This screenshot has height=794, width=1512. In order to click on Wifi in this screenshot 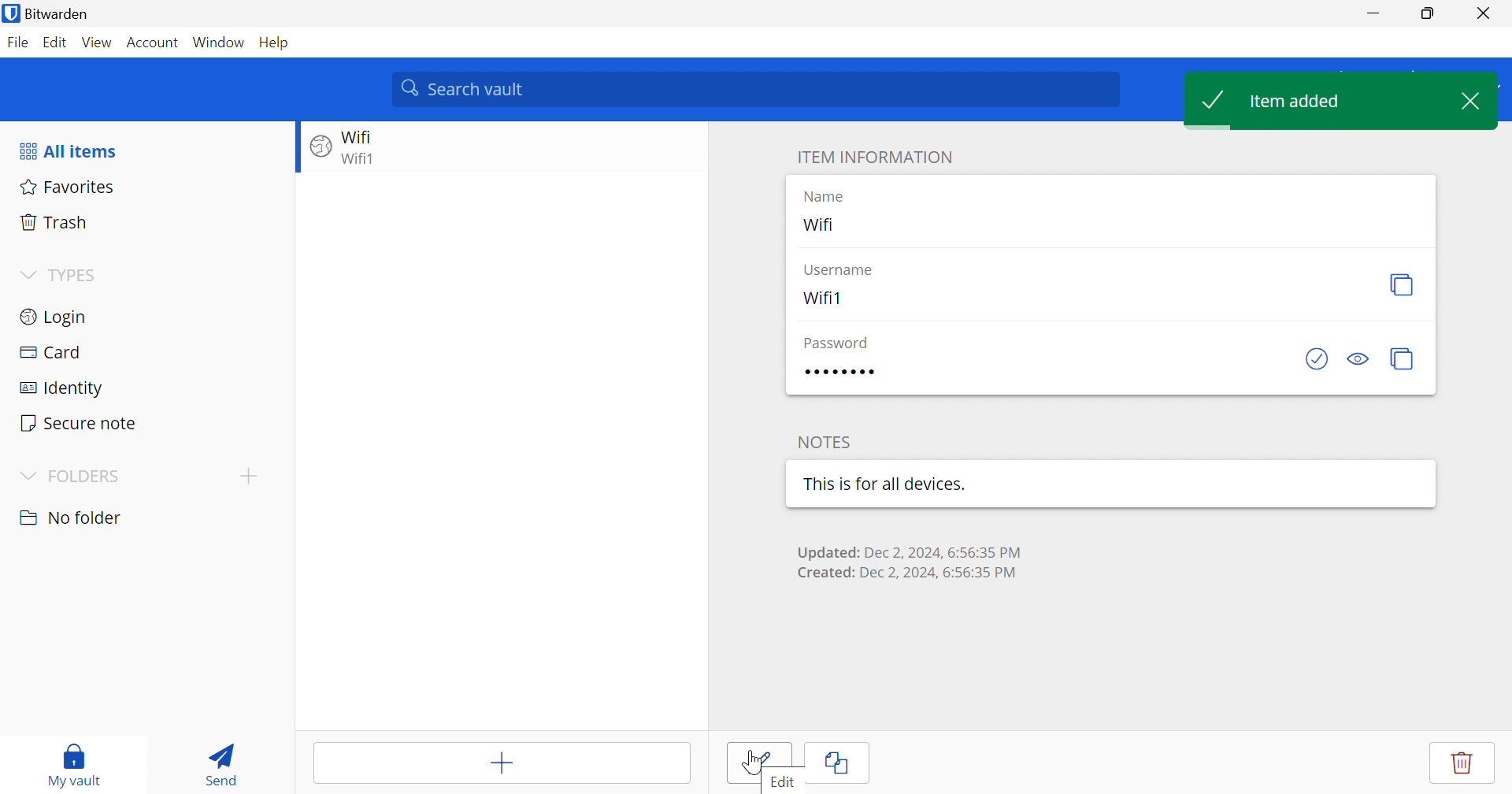, I will do `click(363, 137)`.